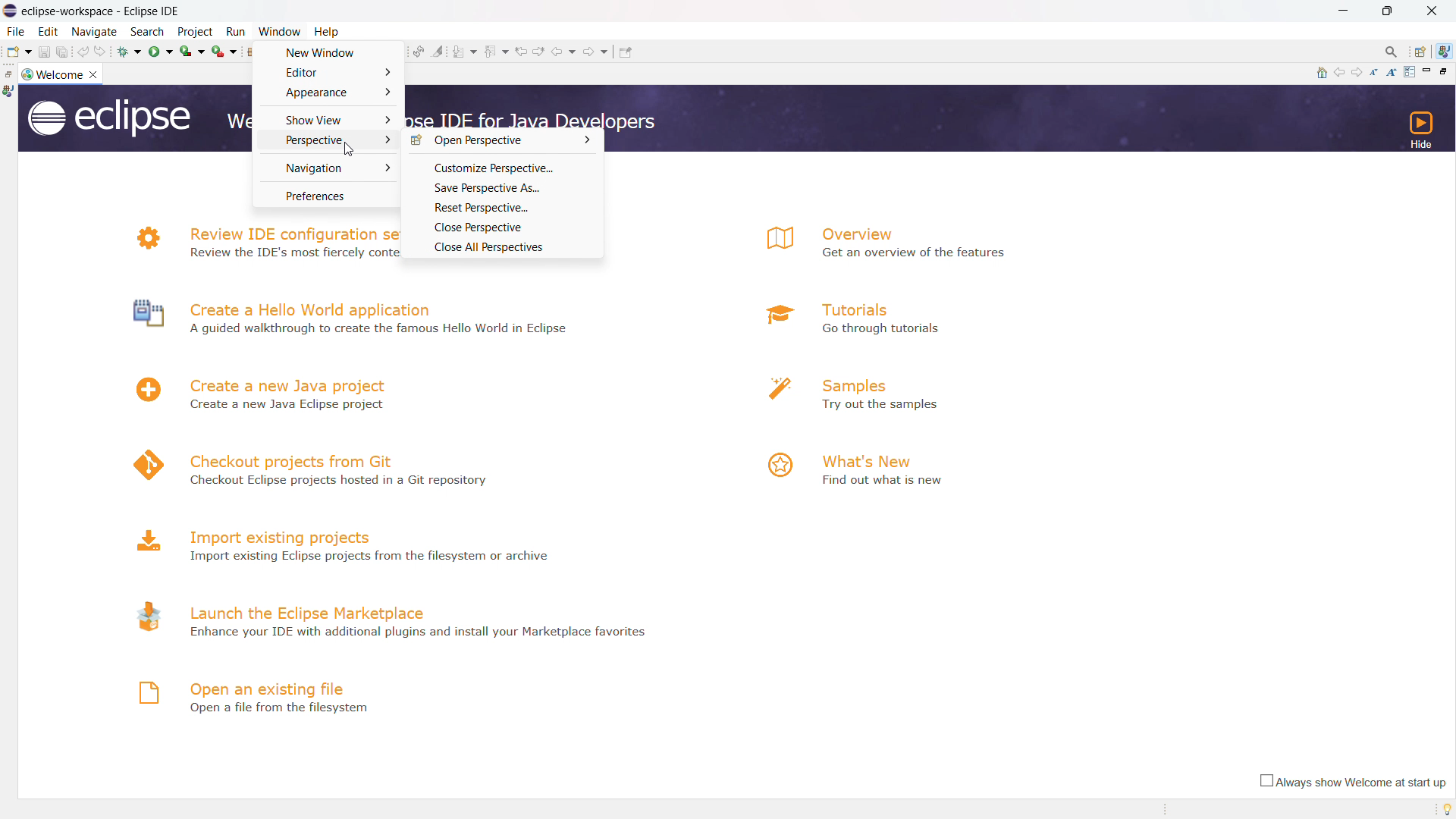 The height and width of the screenshot is (819, 1456). Describe the element at coordinates (563, 52) in the screenshot. I see `back` at that location.